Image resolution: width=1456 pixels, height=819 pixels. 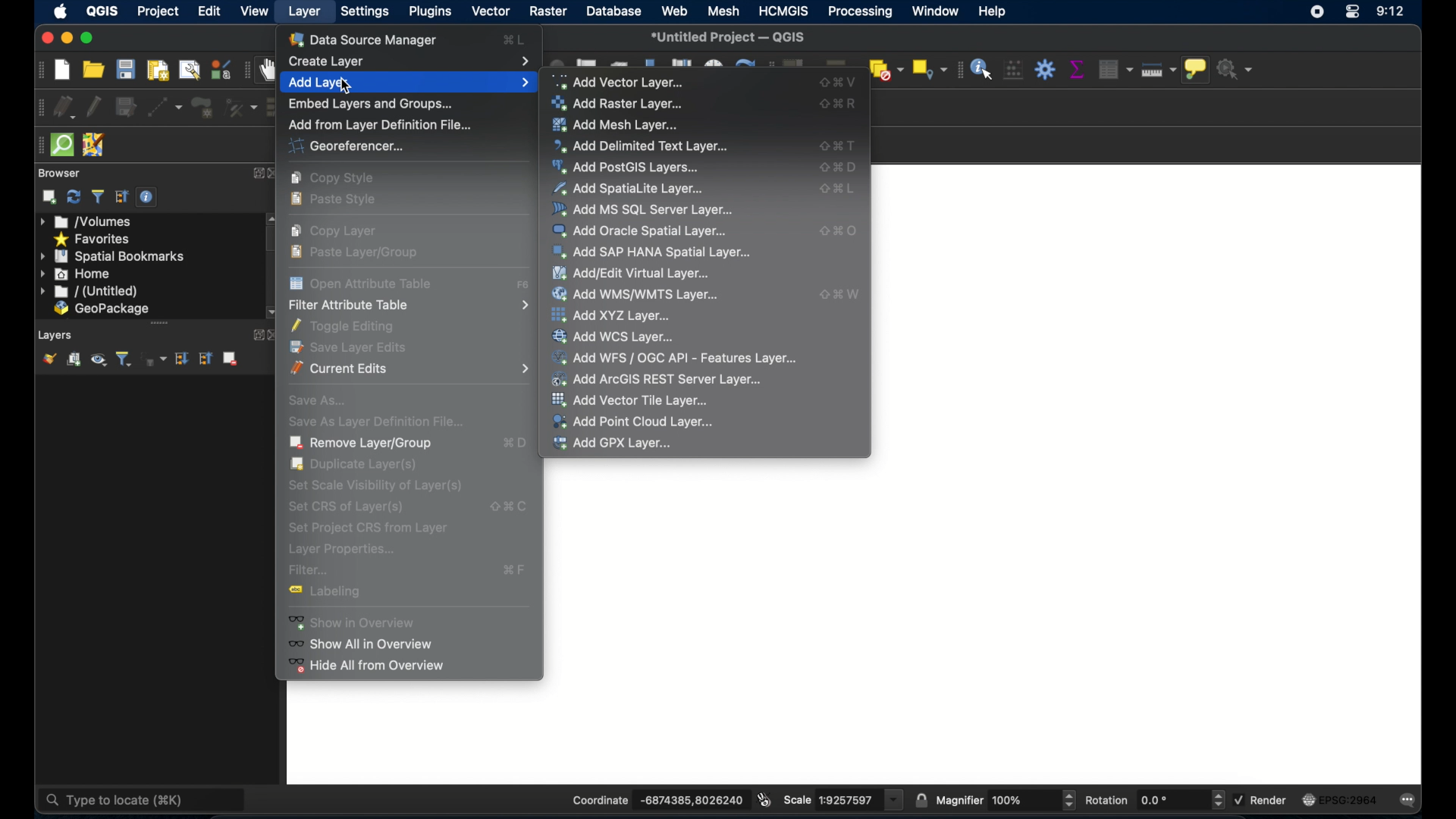 I want to click on rotation, so click(x=1155, y=800).